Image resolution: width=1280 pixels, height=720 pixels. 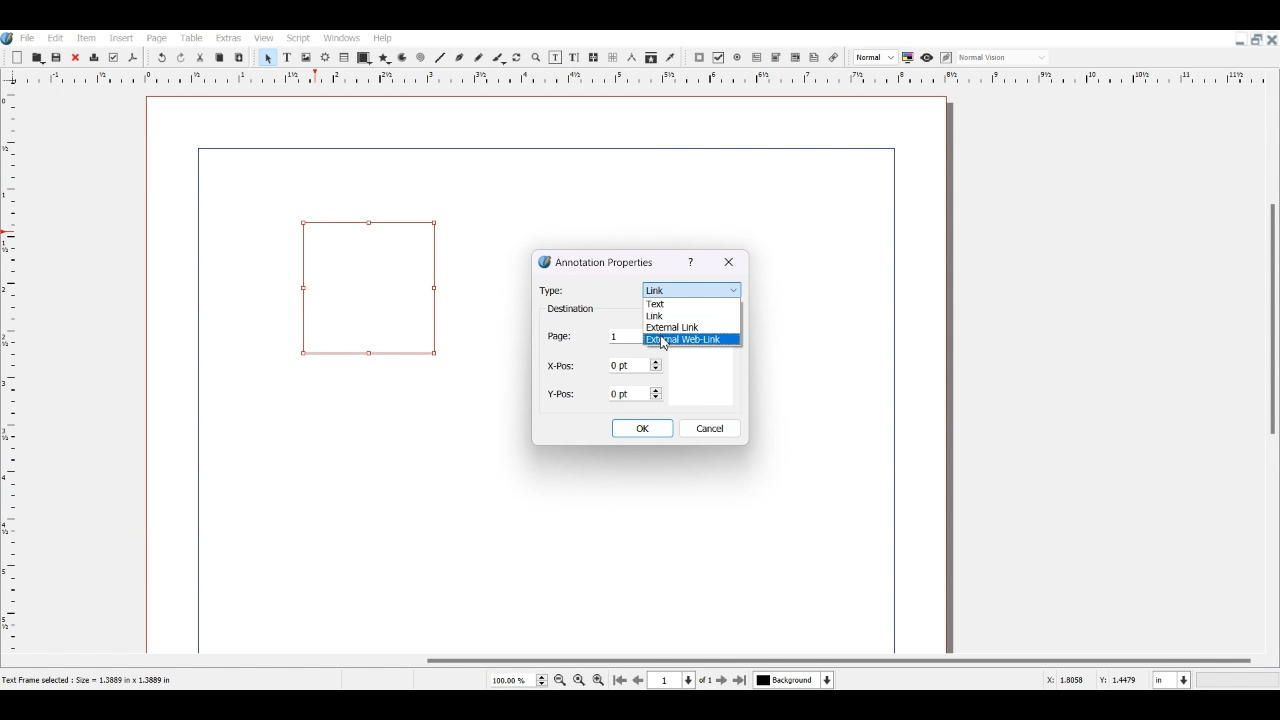 I want to click on PDF Radio Button , so click(x=739, y=58).